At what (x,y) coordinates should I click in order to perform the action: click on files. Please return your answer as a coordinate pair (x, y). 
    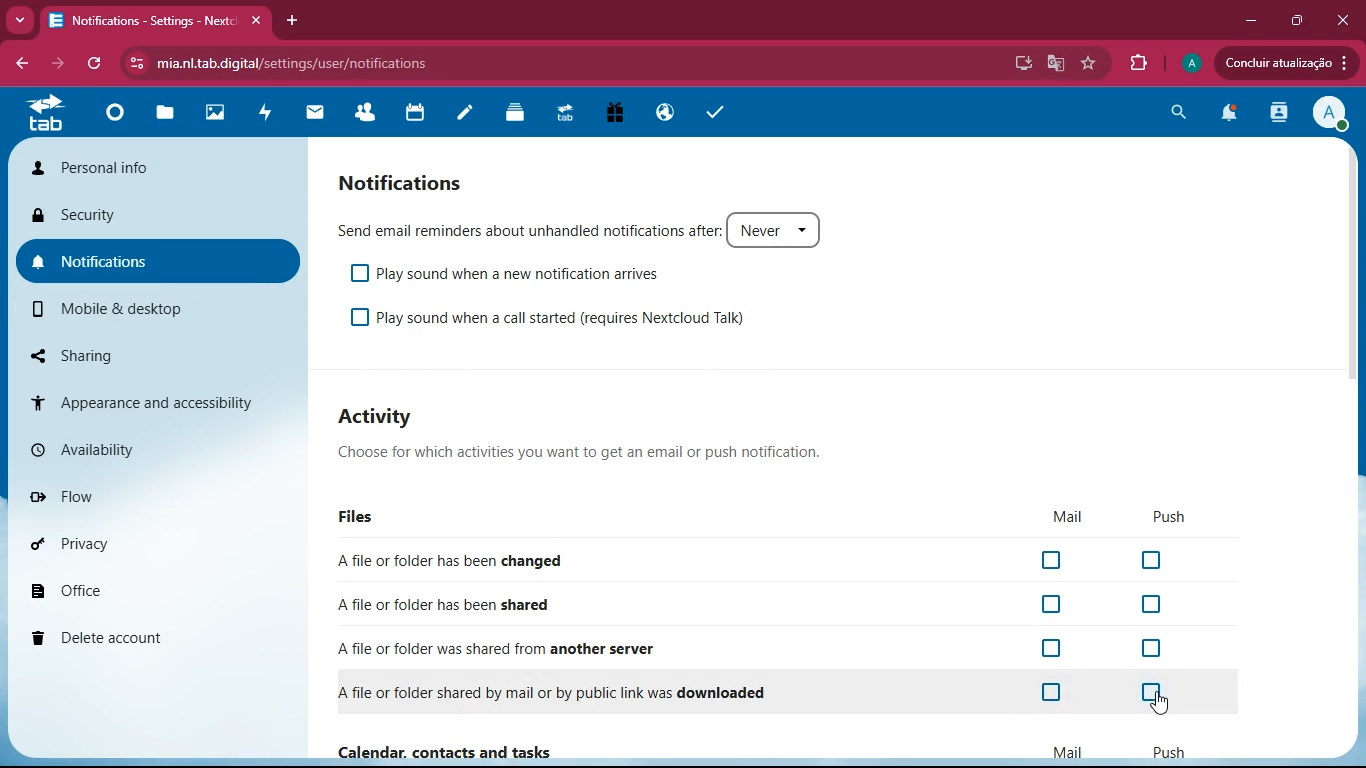
    Looking at the image, I should click on (360, 518).